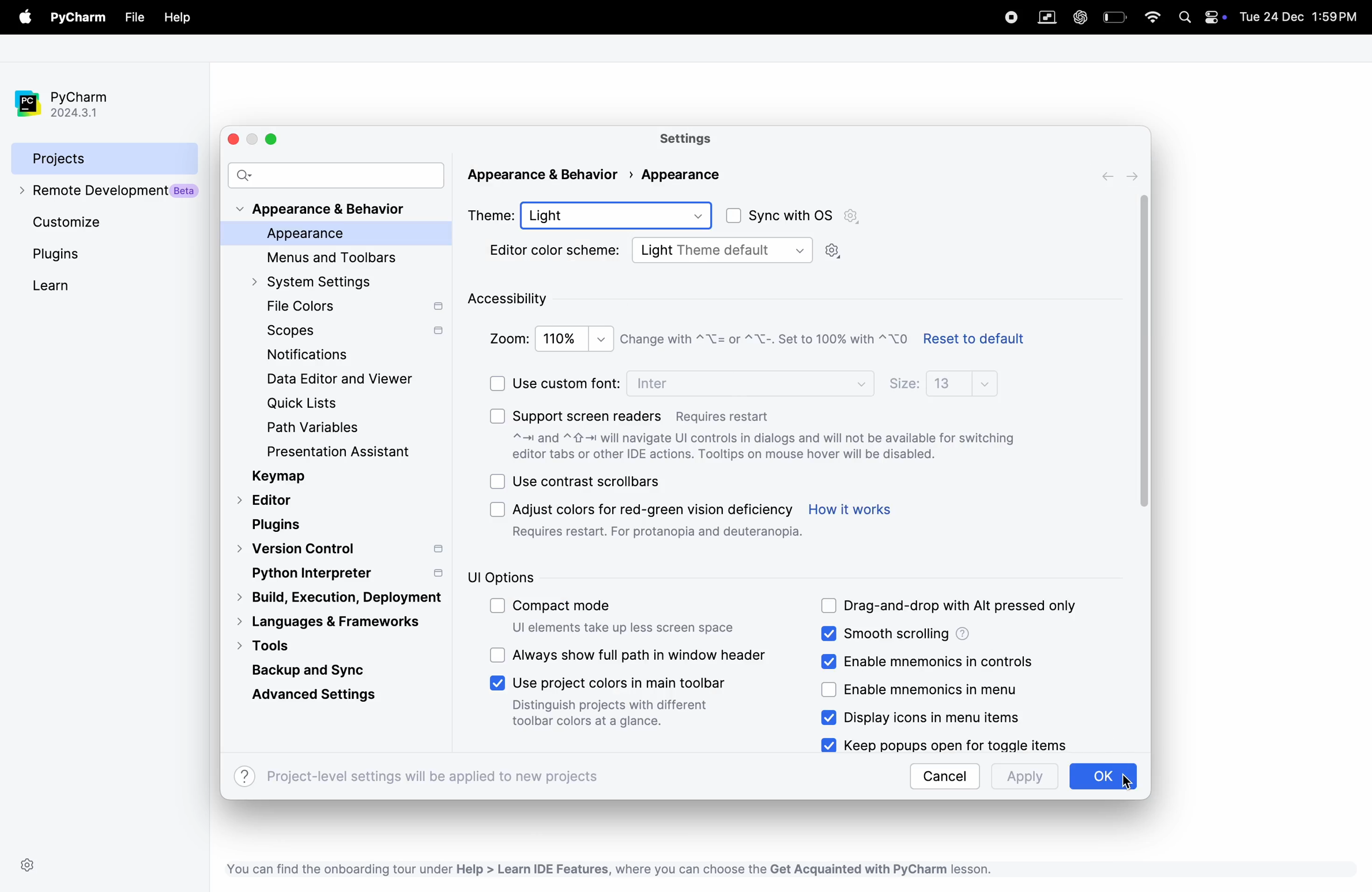 The height and width of the screenshot is (892, 1372). I want to click on Plugins, so click(59, 258).